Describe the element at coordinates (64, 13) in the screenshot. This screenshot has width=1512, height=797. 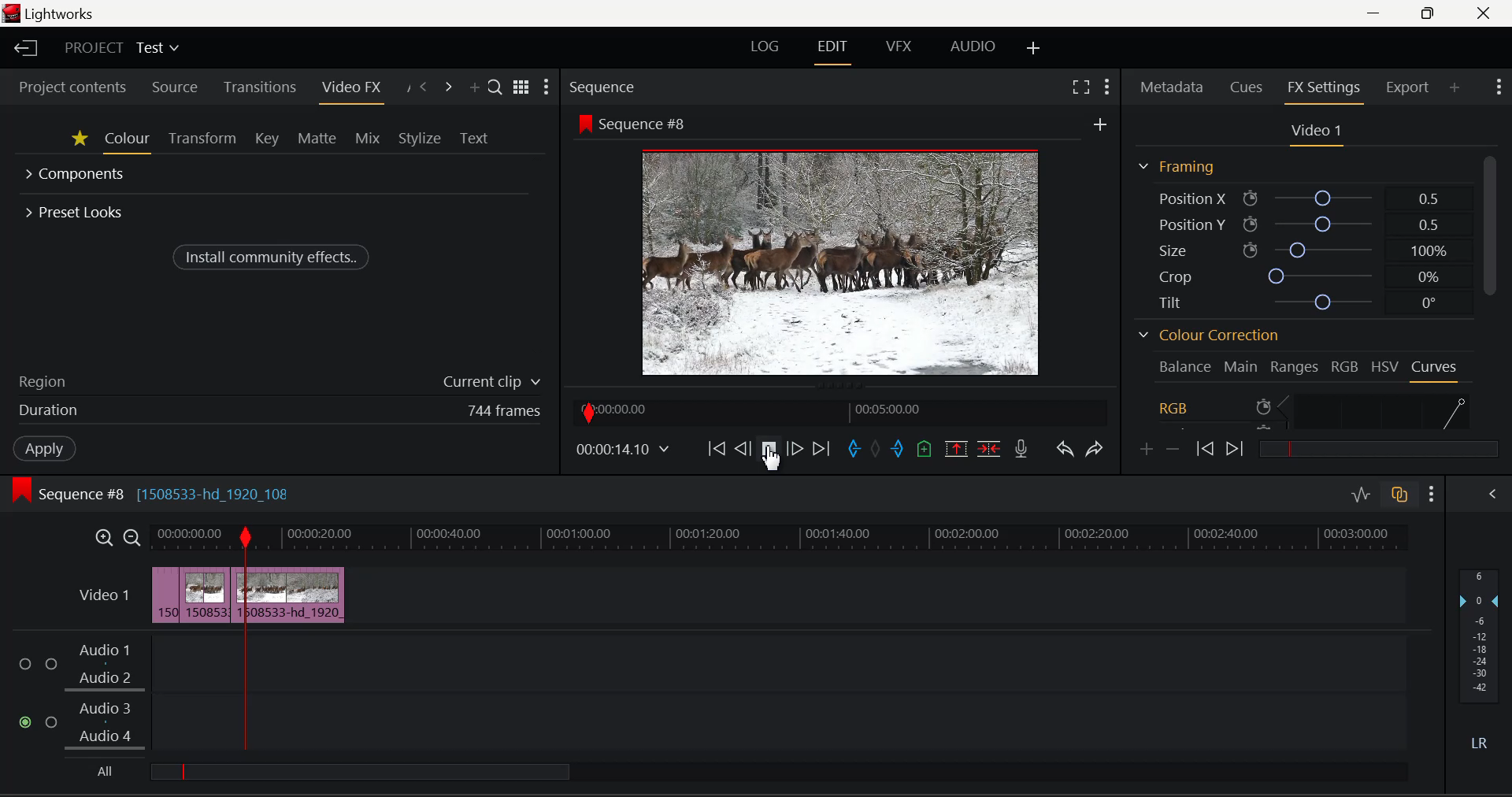
I see `Lightworks` at that location.